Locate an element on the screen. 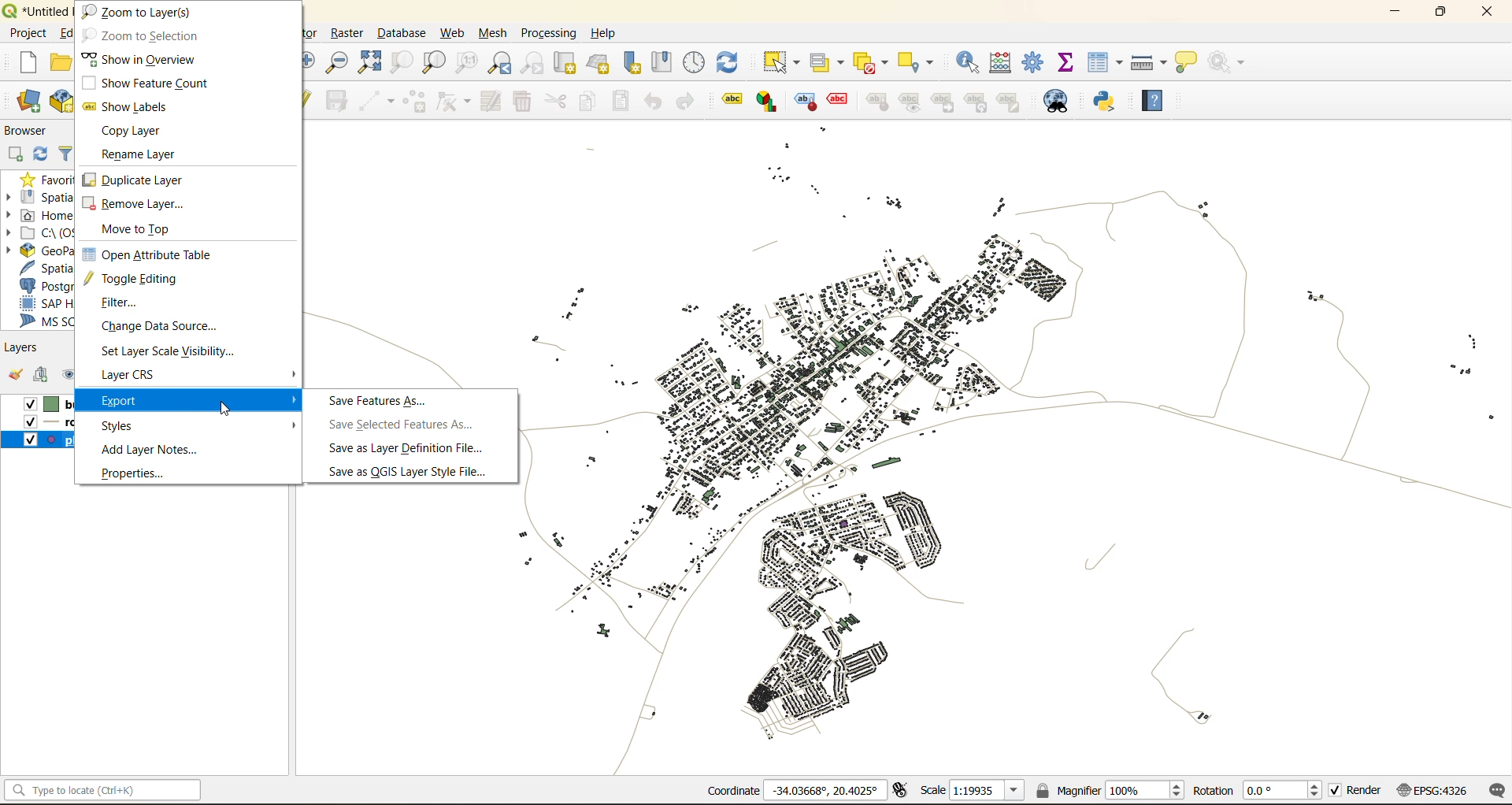  mesh is located at coordinates (495, 35).